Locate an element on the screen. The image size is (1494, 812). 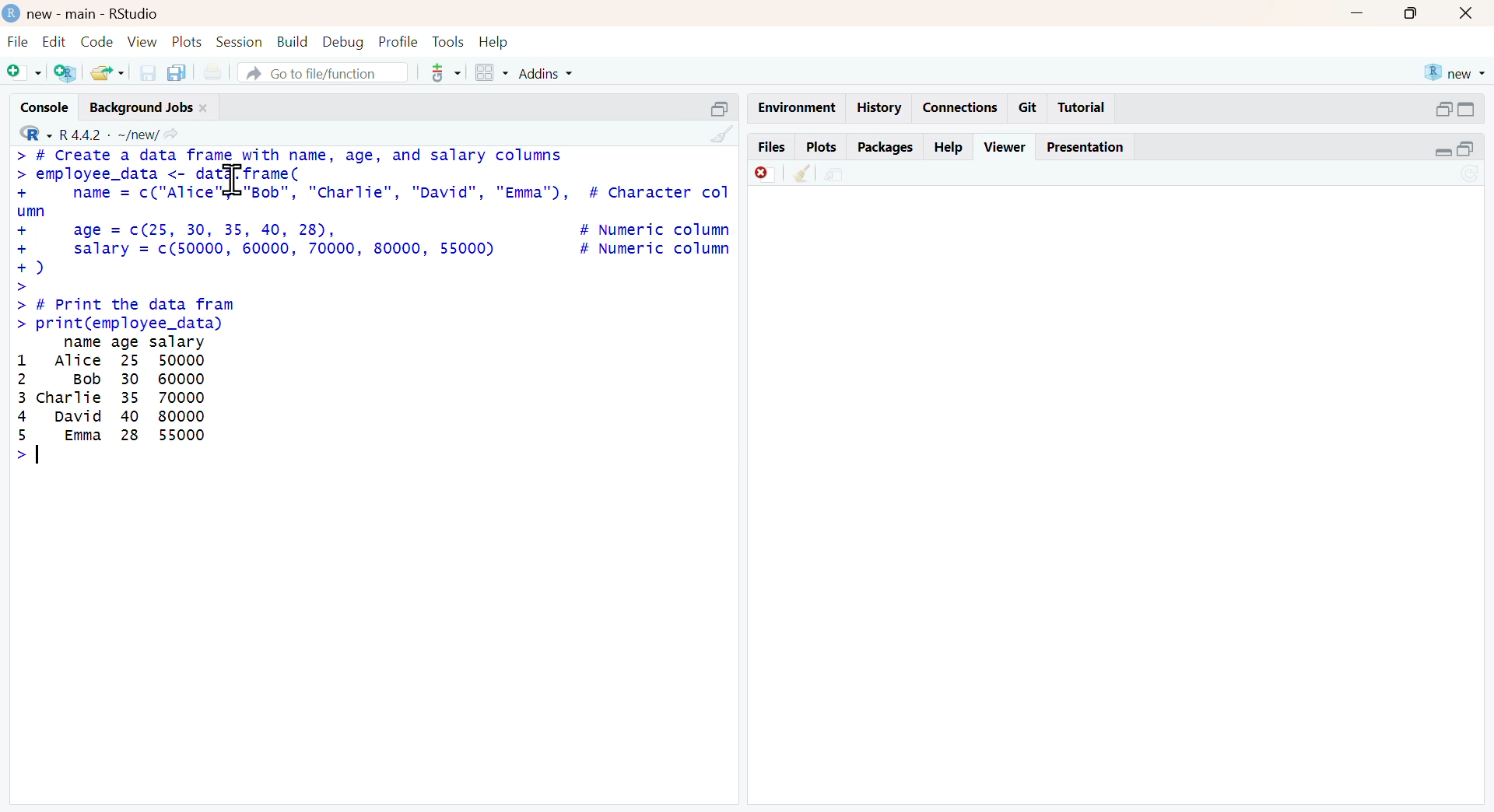
Addins  is located at coordinates (569, 73).